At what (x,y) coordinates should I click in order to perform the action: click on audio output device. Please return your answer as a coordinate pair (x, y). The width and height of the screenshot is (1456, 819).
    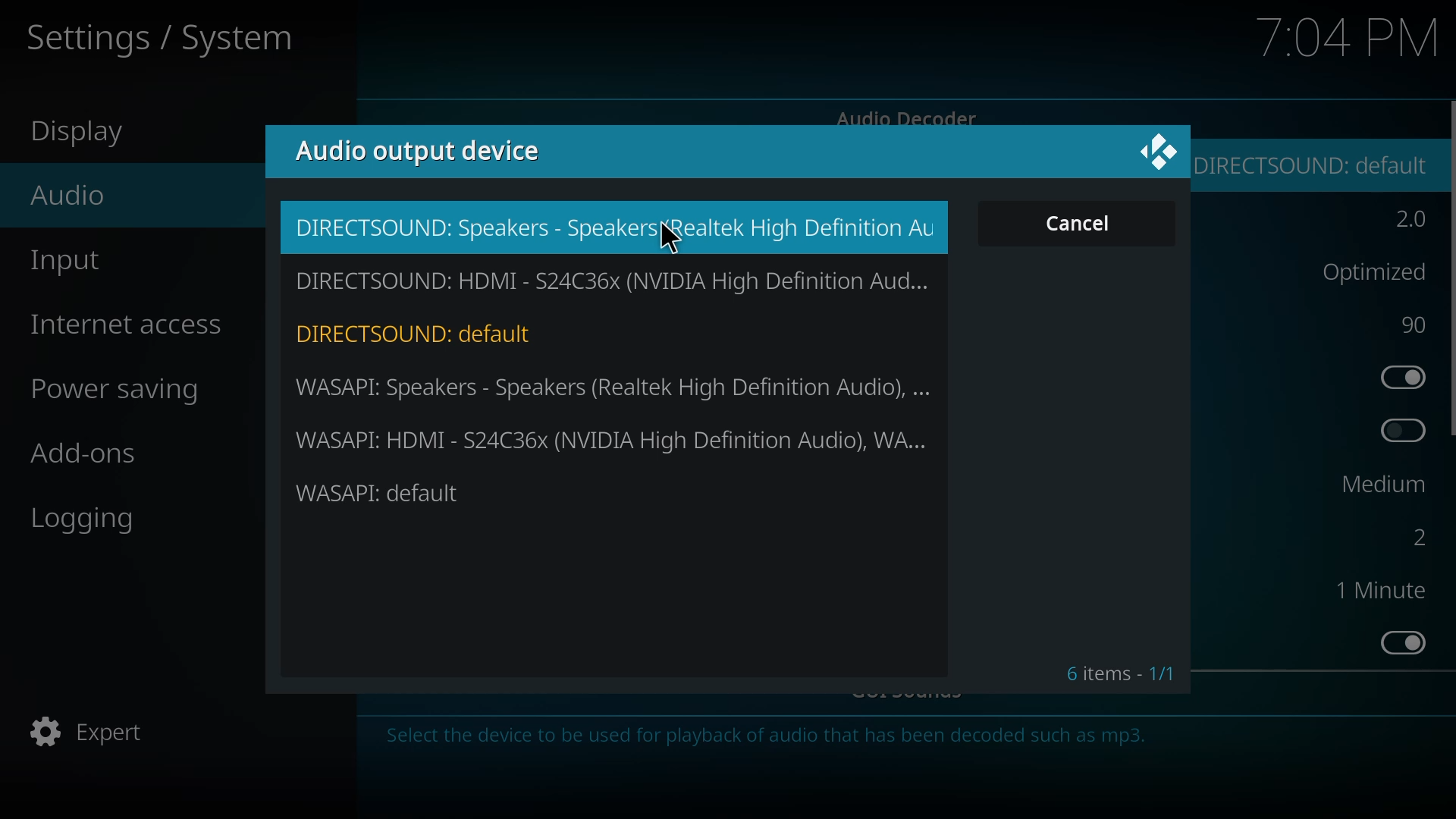
    Looking at the image, I should click on (423, 149).